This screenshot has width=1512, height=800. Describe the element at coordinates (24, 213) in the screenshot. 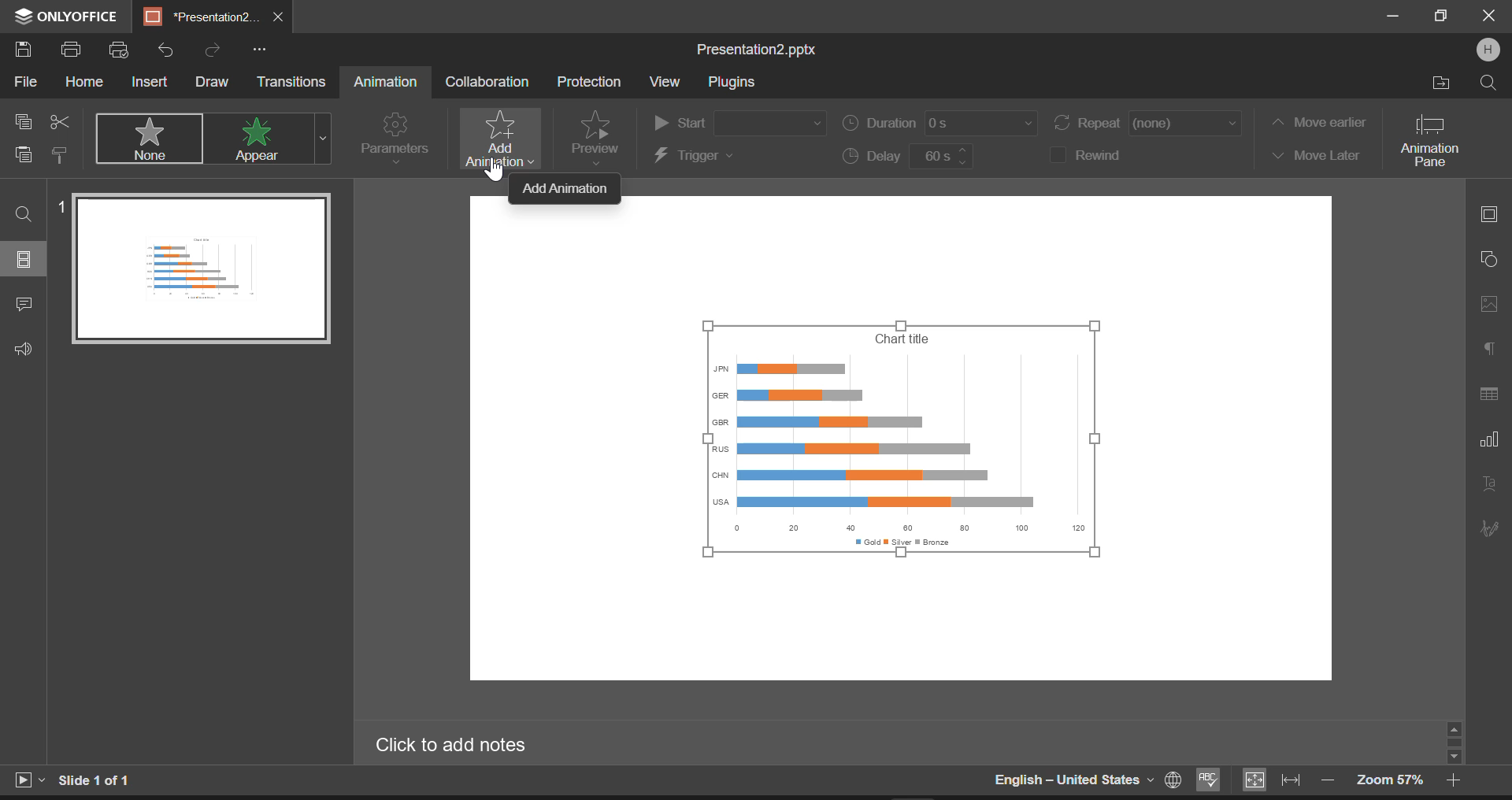

I see `Find` at that location.